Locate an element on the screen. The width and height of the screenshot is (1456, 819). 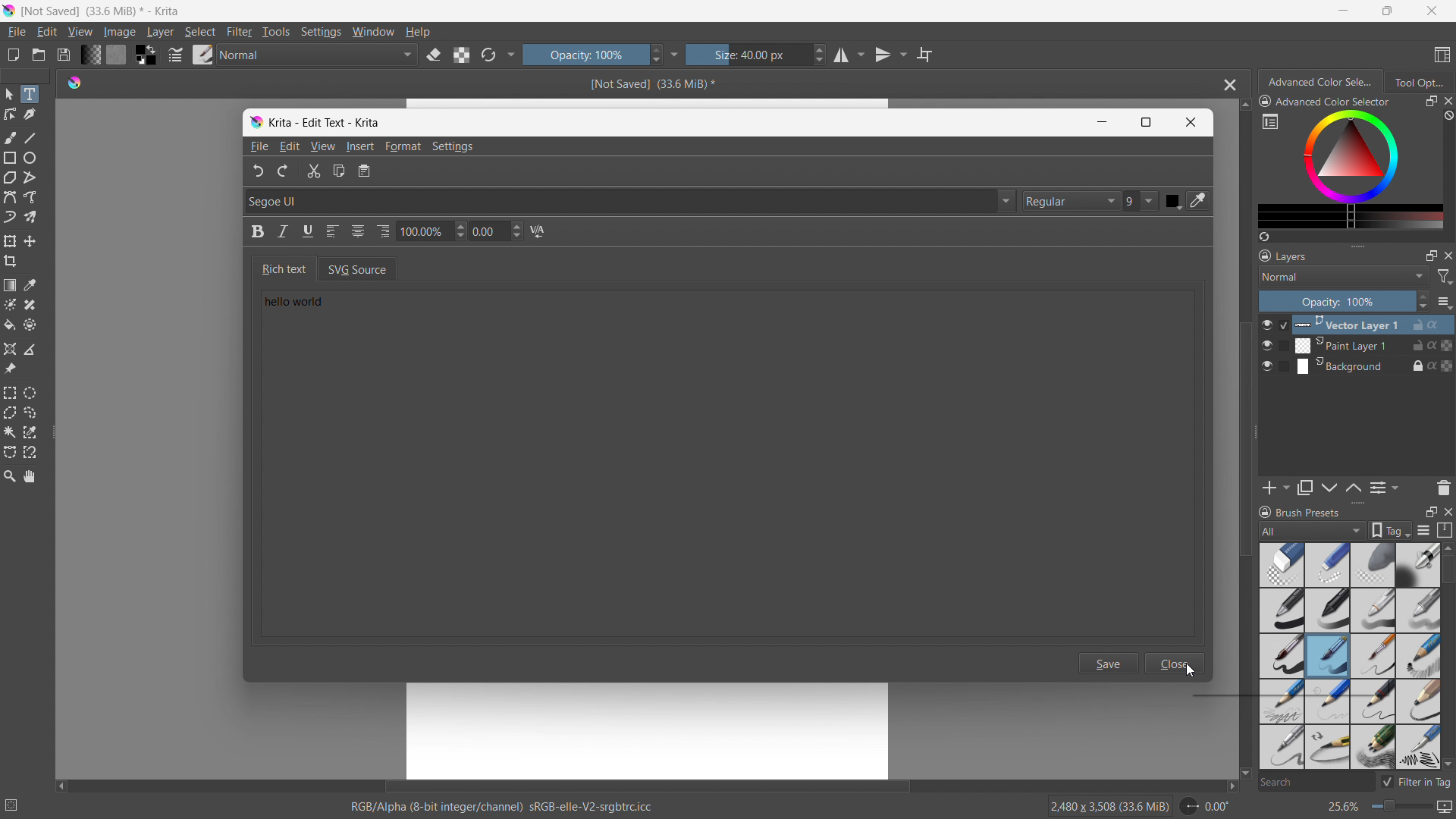
set erasor is located at coordinates (433, 55).